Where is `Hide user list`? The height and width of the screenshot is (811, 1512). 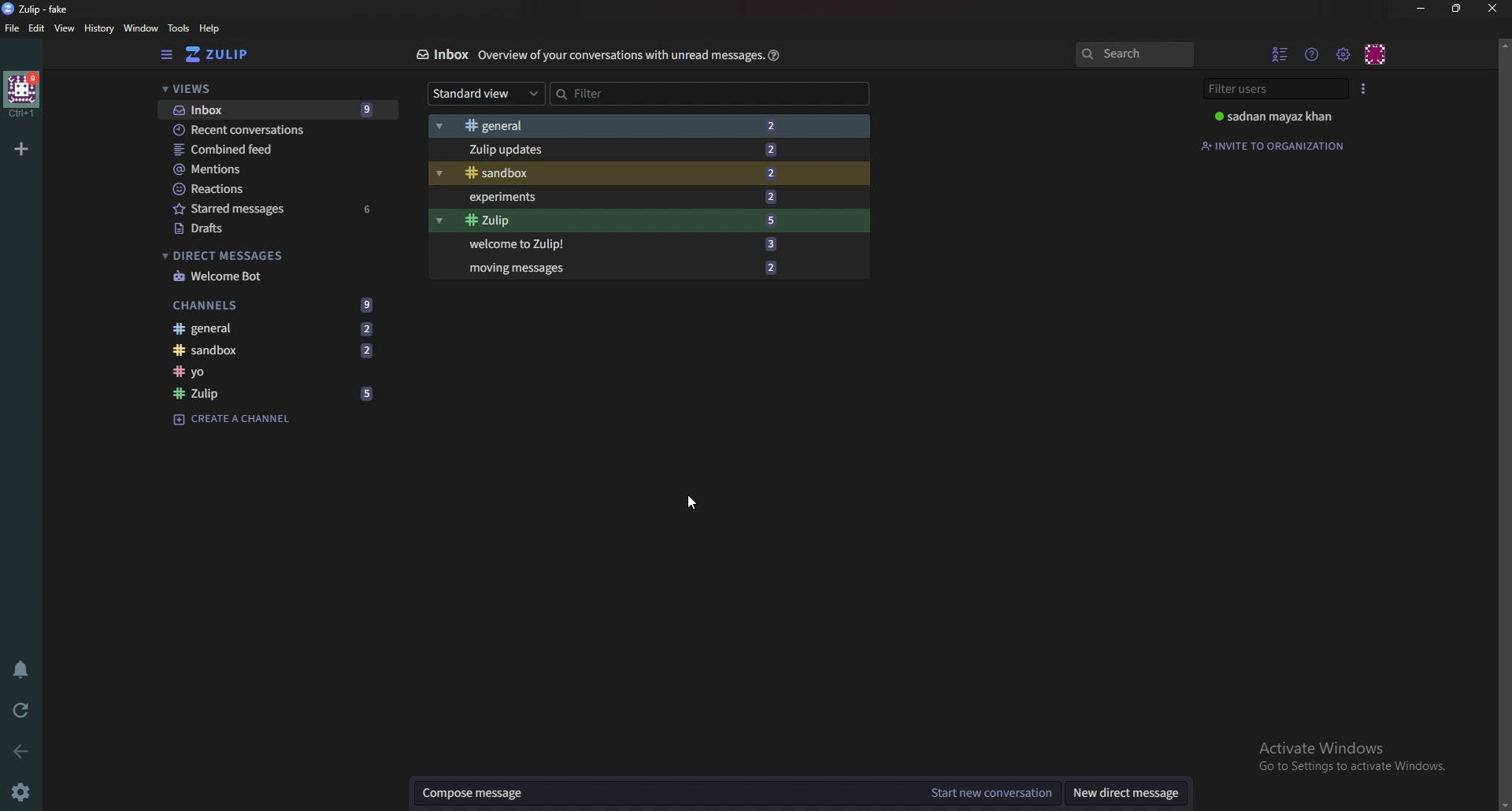 Hide user list is located at coordinates (1280, 53).